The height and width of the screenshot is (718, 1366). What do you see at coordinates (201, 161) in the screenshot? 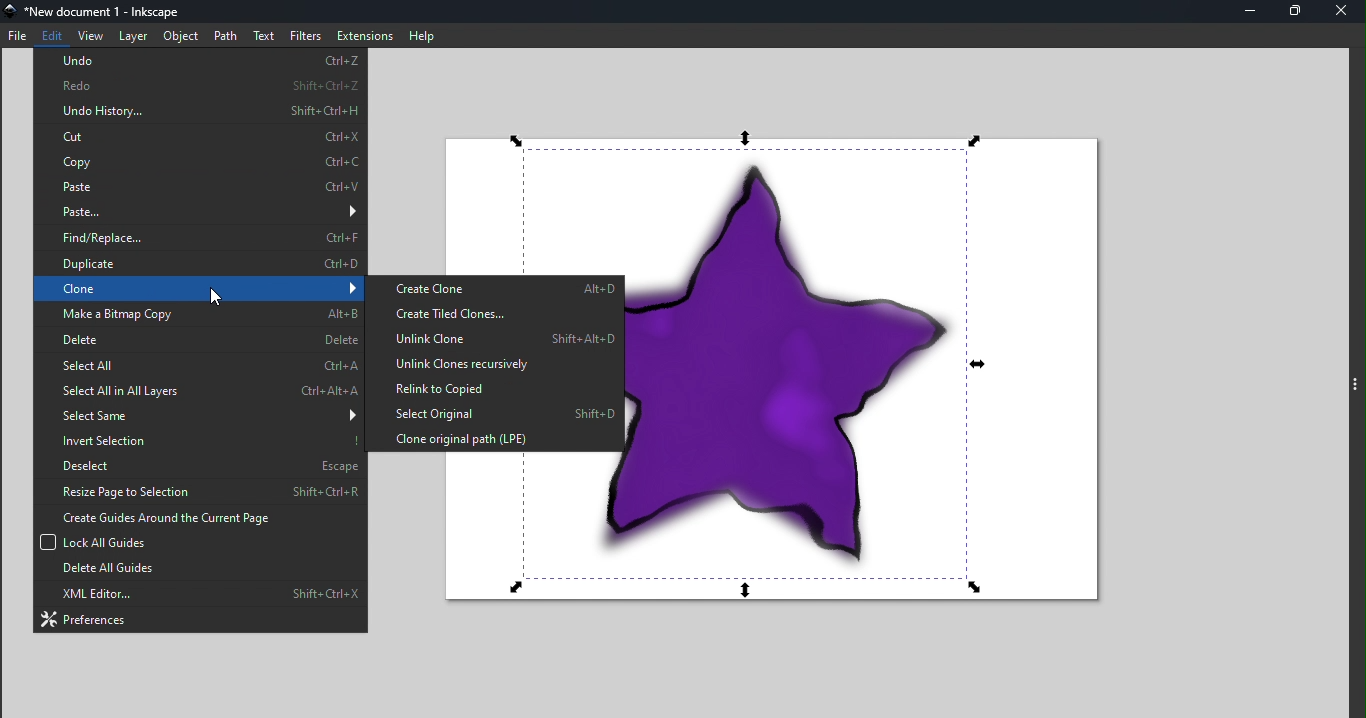
I see `copy` at bounding box center [201, 161].